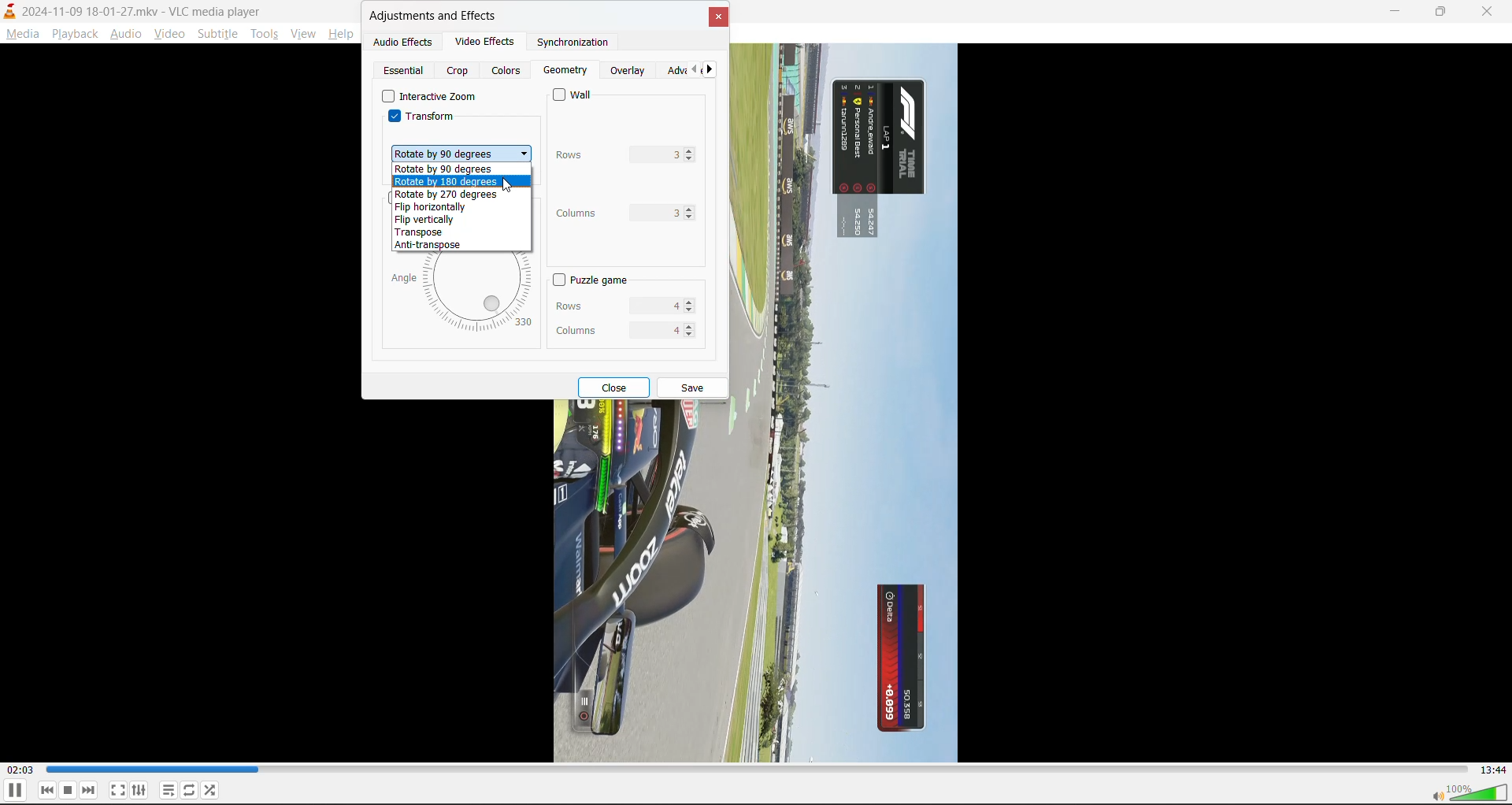 The width and height of the screenshot is (1512, 805). What do you see at coordinates (140, 791) in the screenshot?
I see `settings` at bounding box center [140, 791].